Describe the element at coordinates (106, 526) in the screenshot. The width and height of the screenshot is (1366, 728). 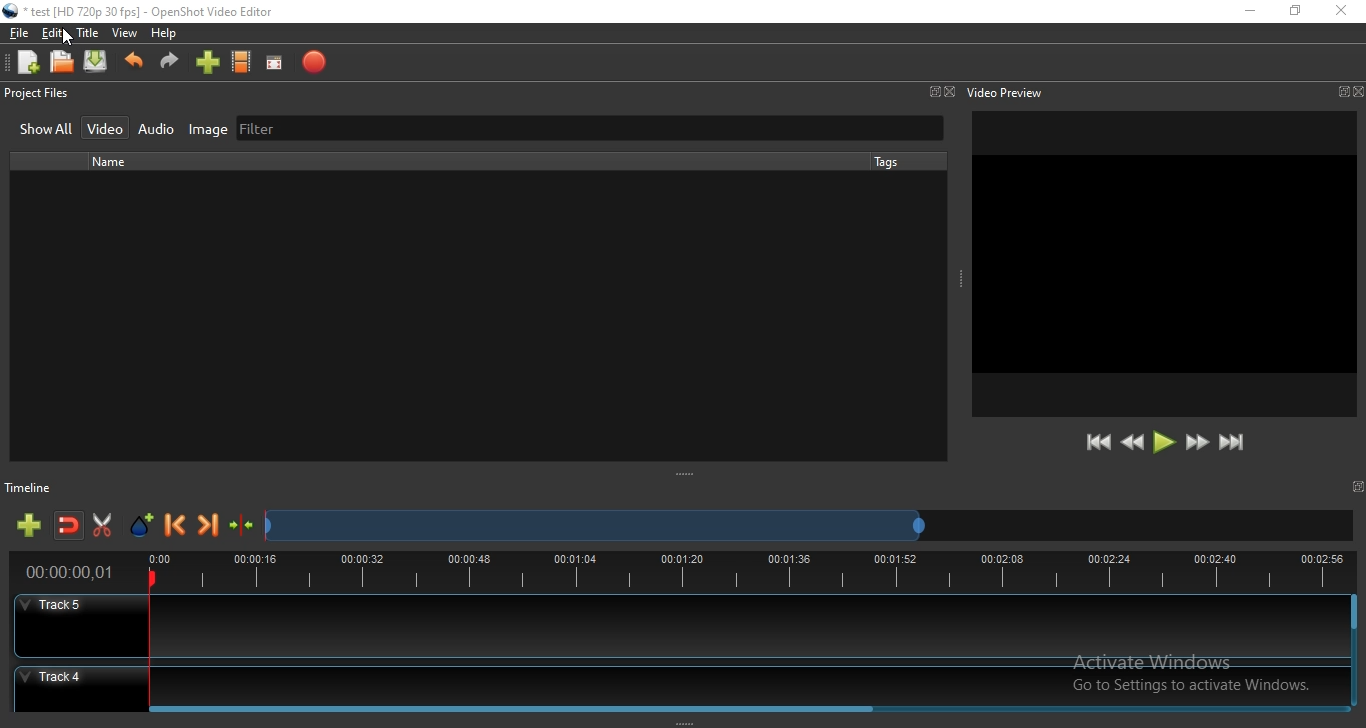
I see `Enable razor` at that location.